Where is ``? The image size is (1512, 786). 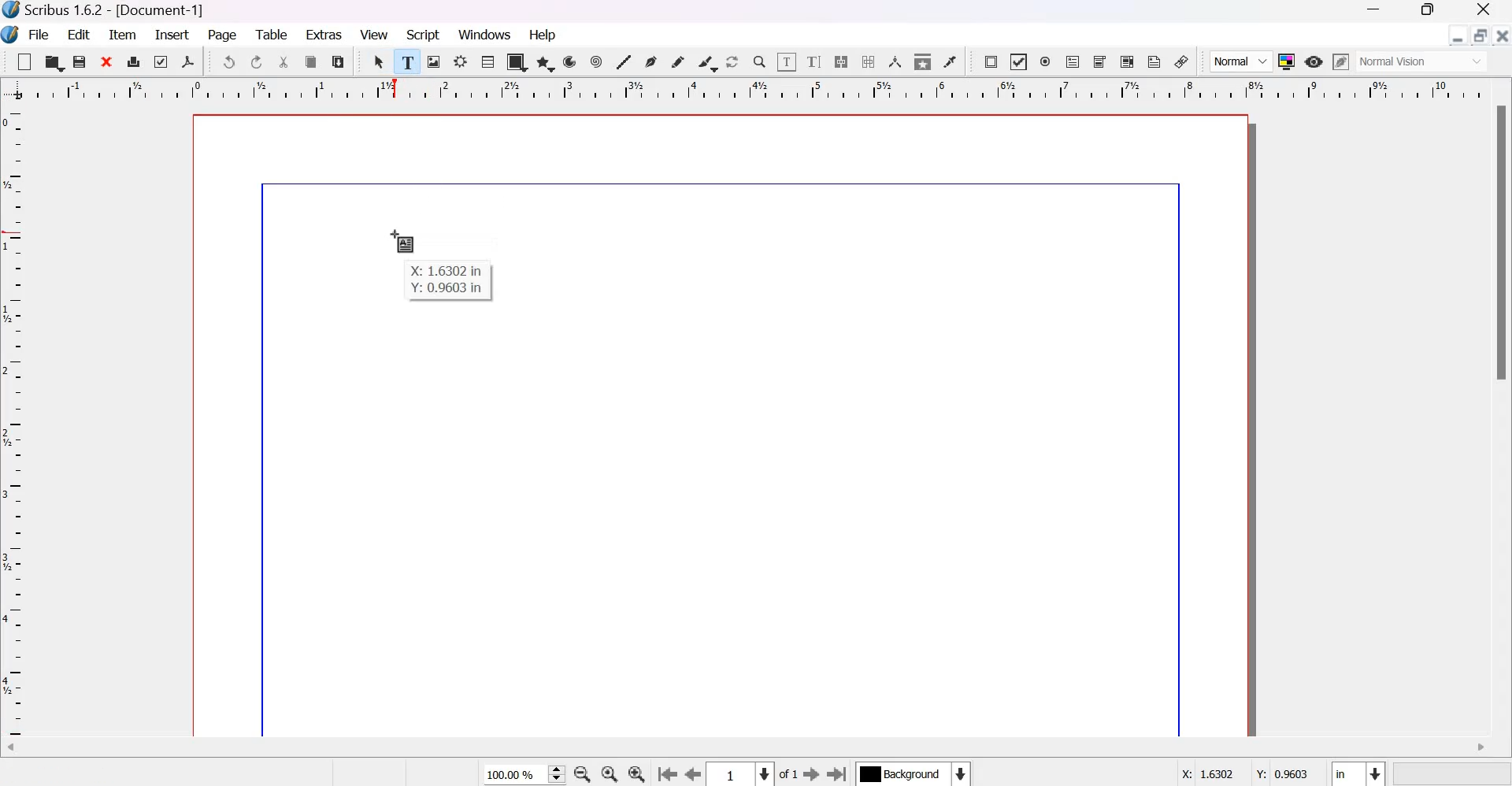  is located at coordinates (733, 61).